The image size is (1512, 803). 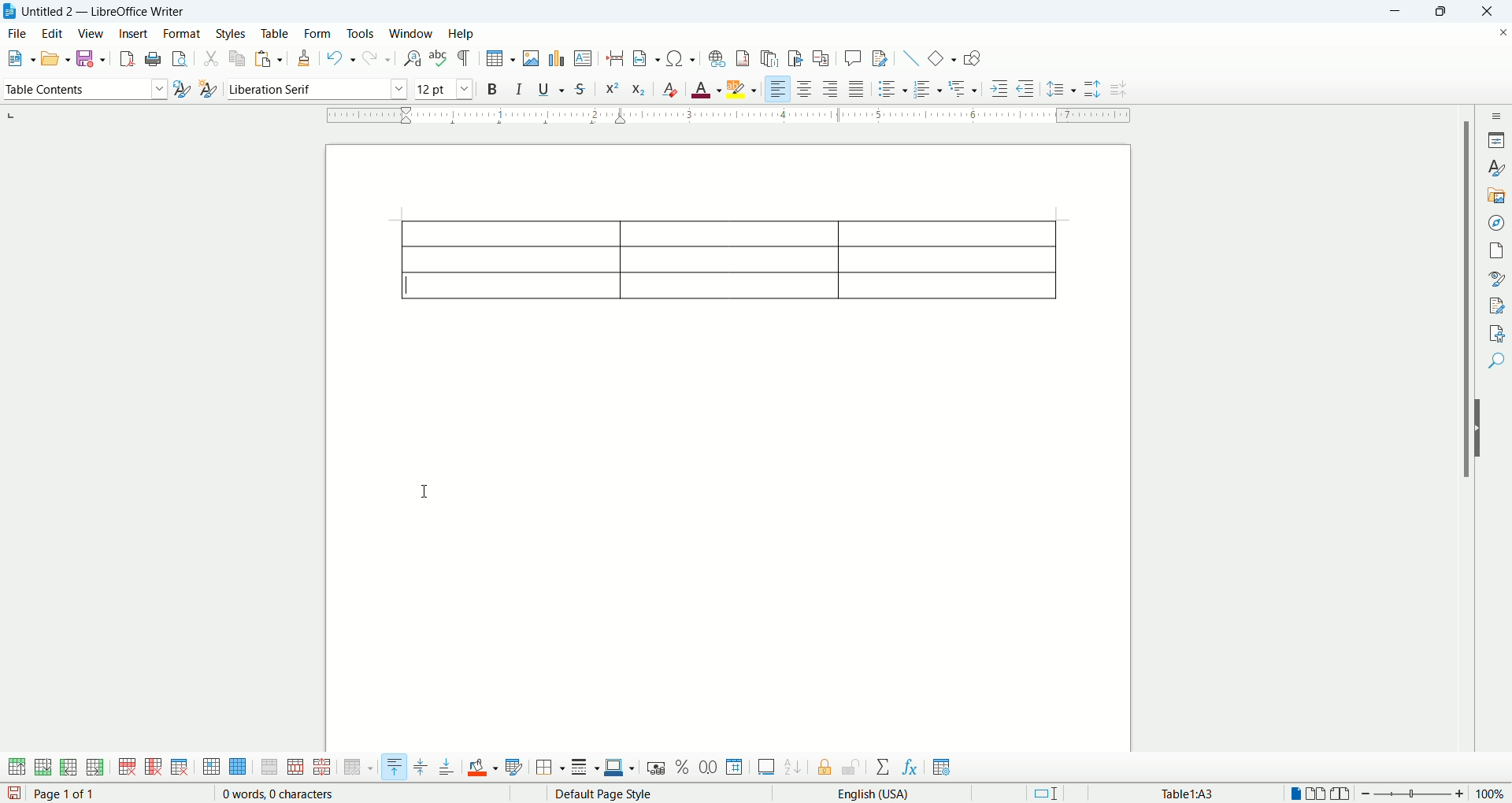 I want to click on view, so click(x=92, y=35).